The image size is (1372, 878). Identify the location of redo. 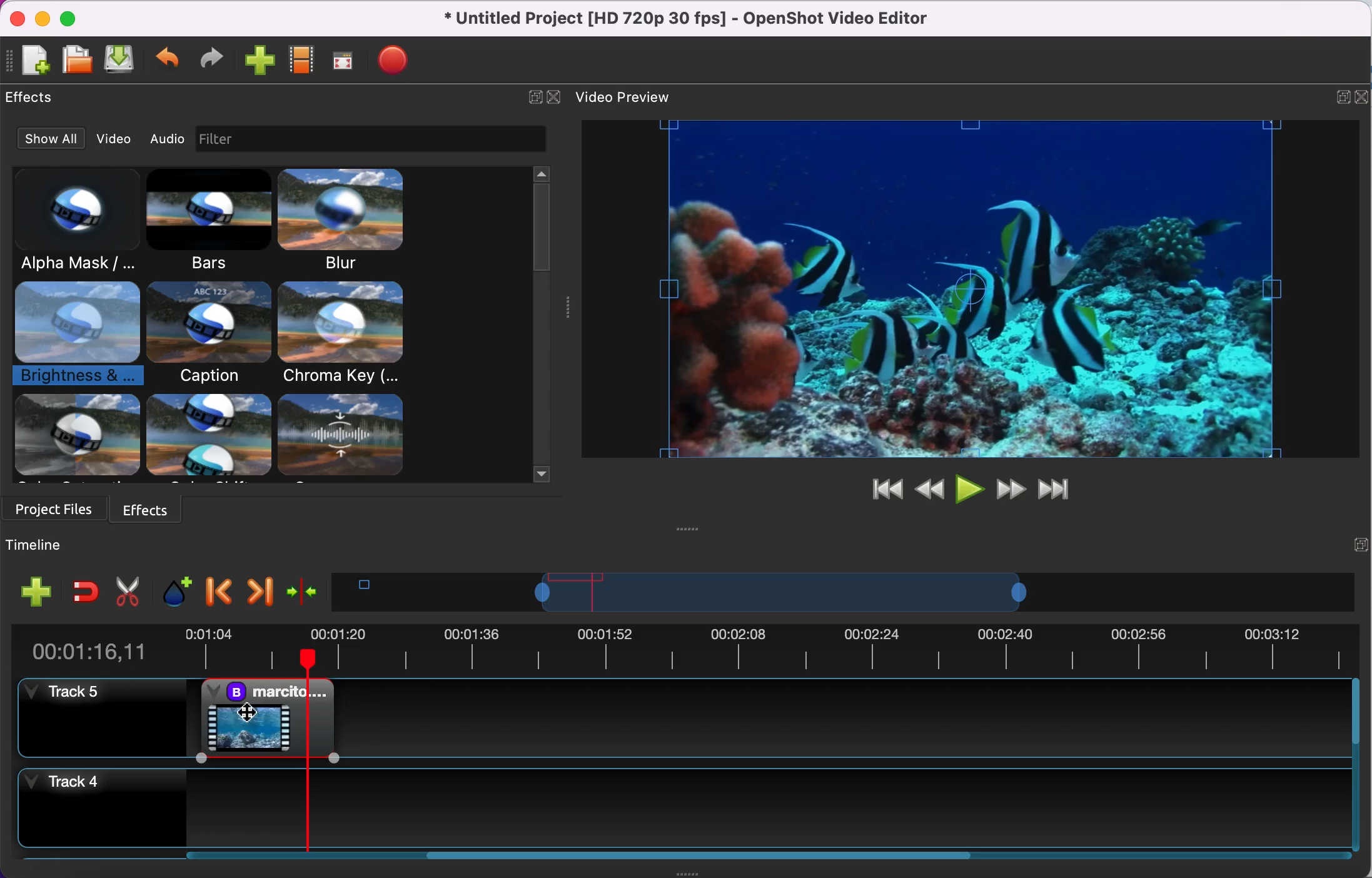
(208, 60).